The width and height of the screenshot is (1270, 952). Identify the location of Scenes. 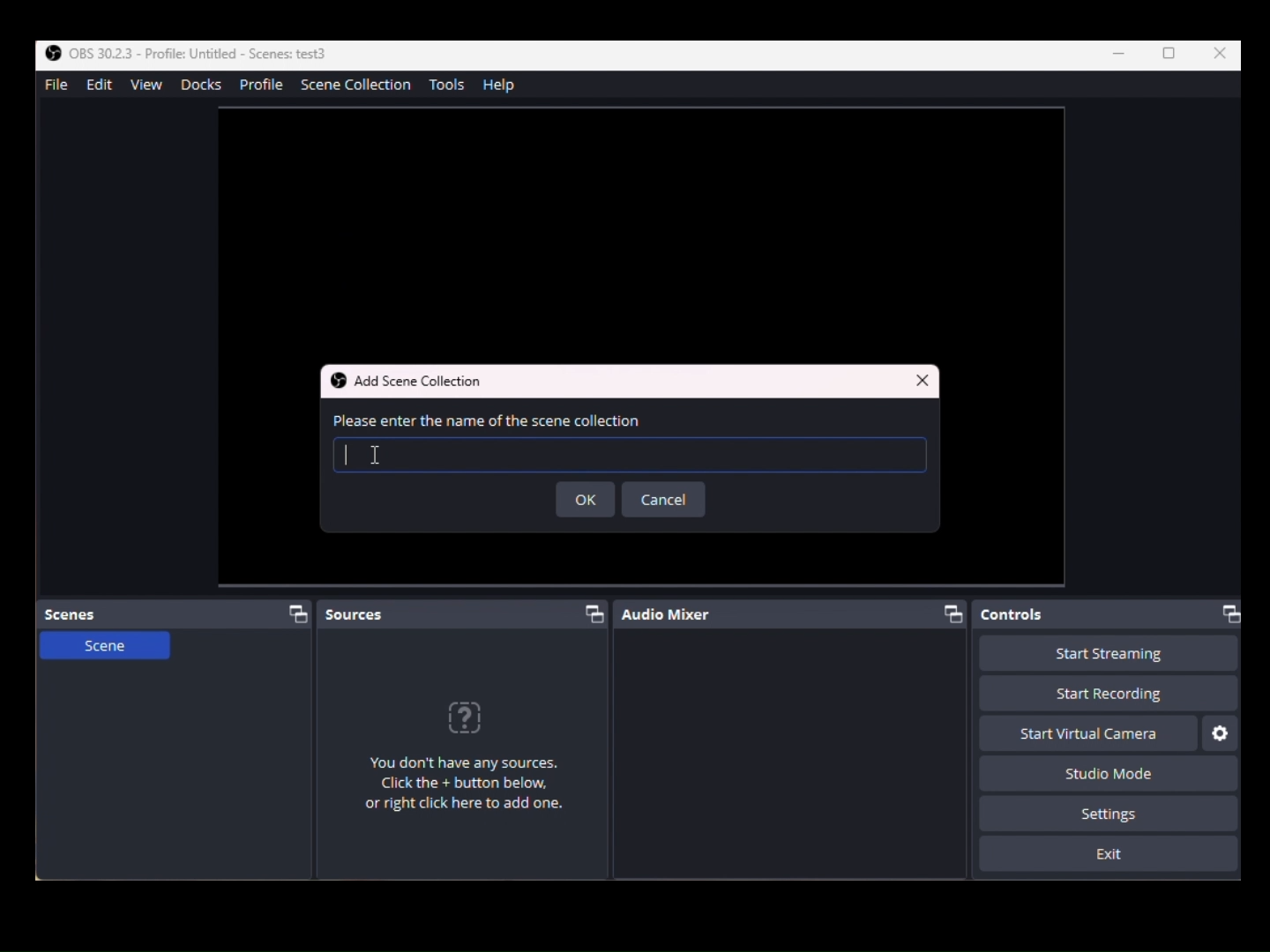
(178, 614).